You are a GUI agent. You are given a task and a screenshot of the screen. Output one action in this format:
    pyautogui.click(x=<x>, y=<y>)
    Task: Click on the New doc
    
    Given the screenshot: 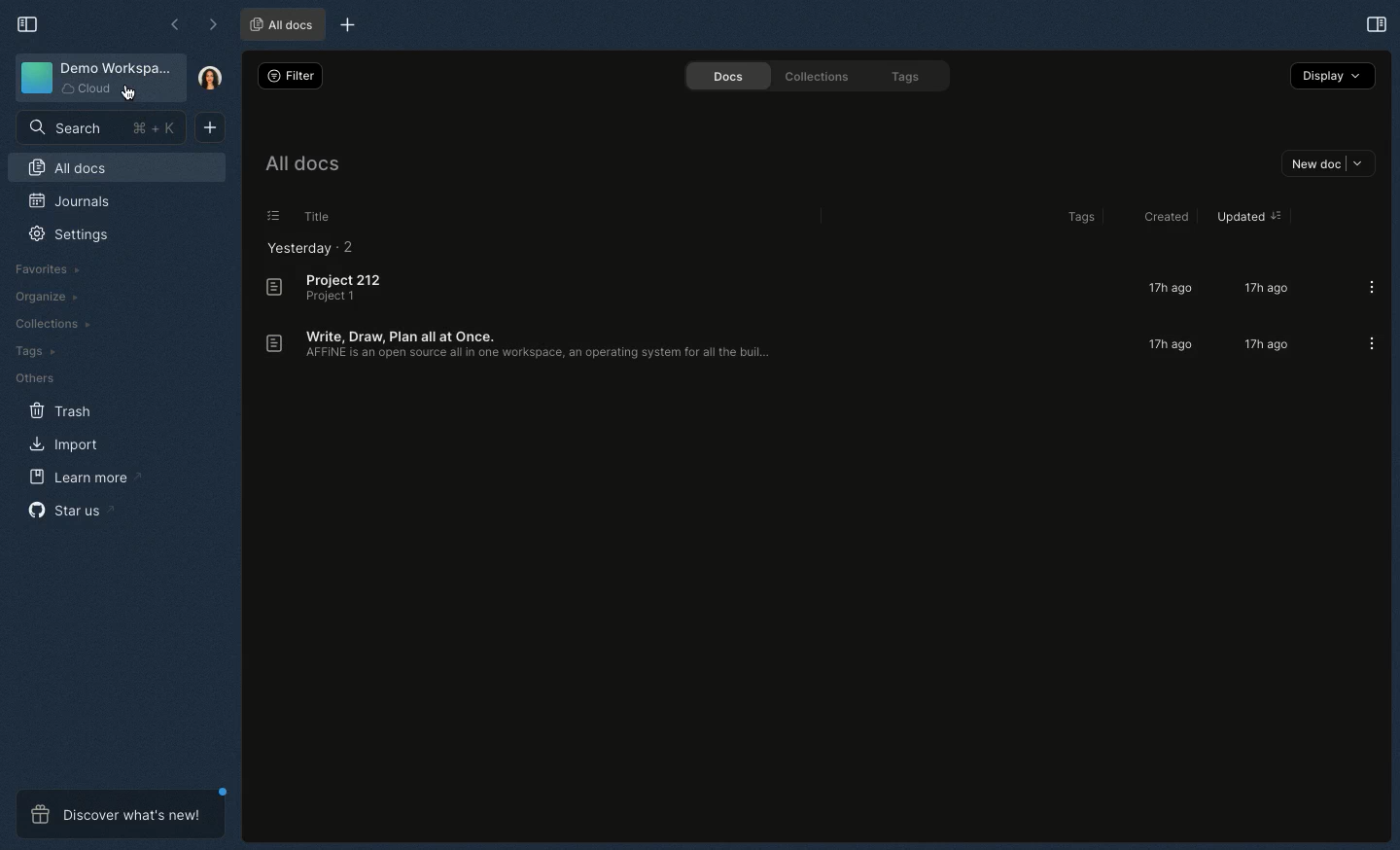 What is the action you would take?
    pyautogui.click(x=214, y=128)
    